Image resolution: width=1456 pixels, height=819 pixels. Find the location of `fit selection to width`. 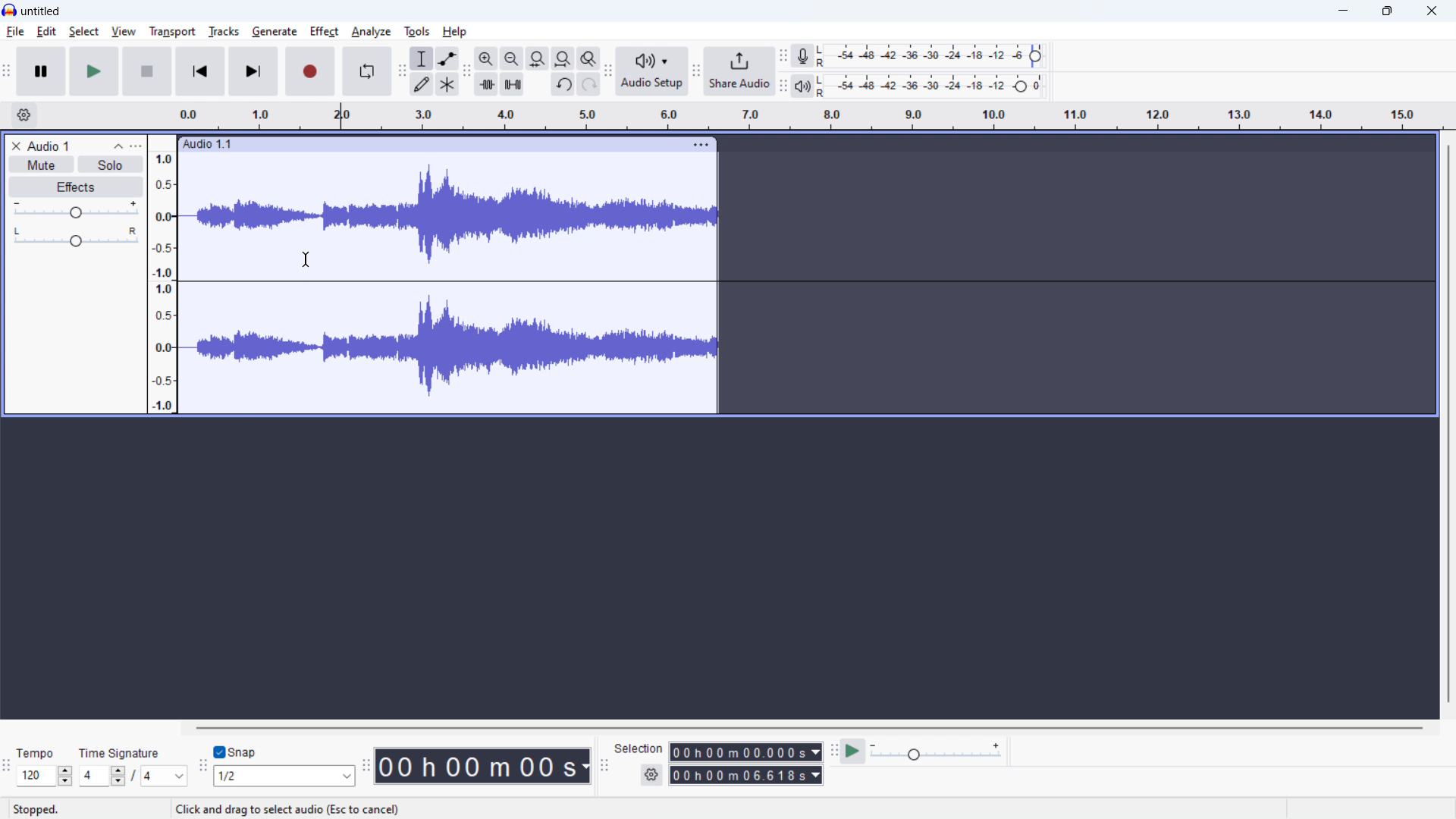

fit selection to width is located at coordinates (538, 58).